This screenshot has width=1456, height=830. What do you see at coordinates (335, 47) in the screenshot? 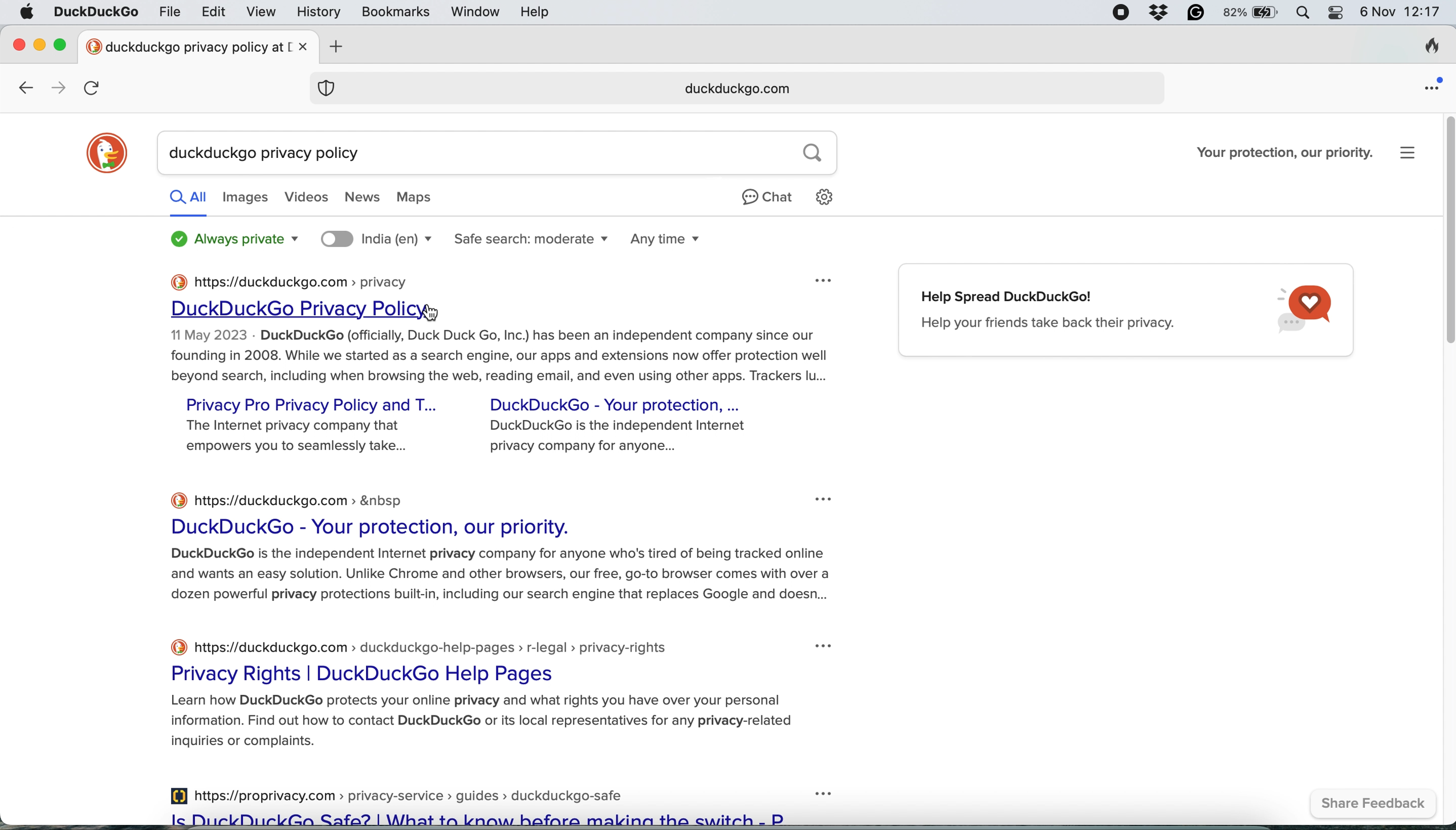
I see `add new tab` at bounding box center [335, 47].